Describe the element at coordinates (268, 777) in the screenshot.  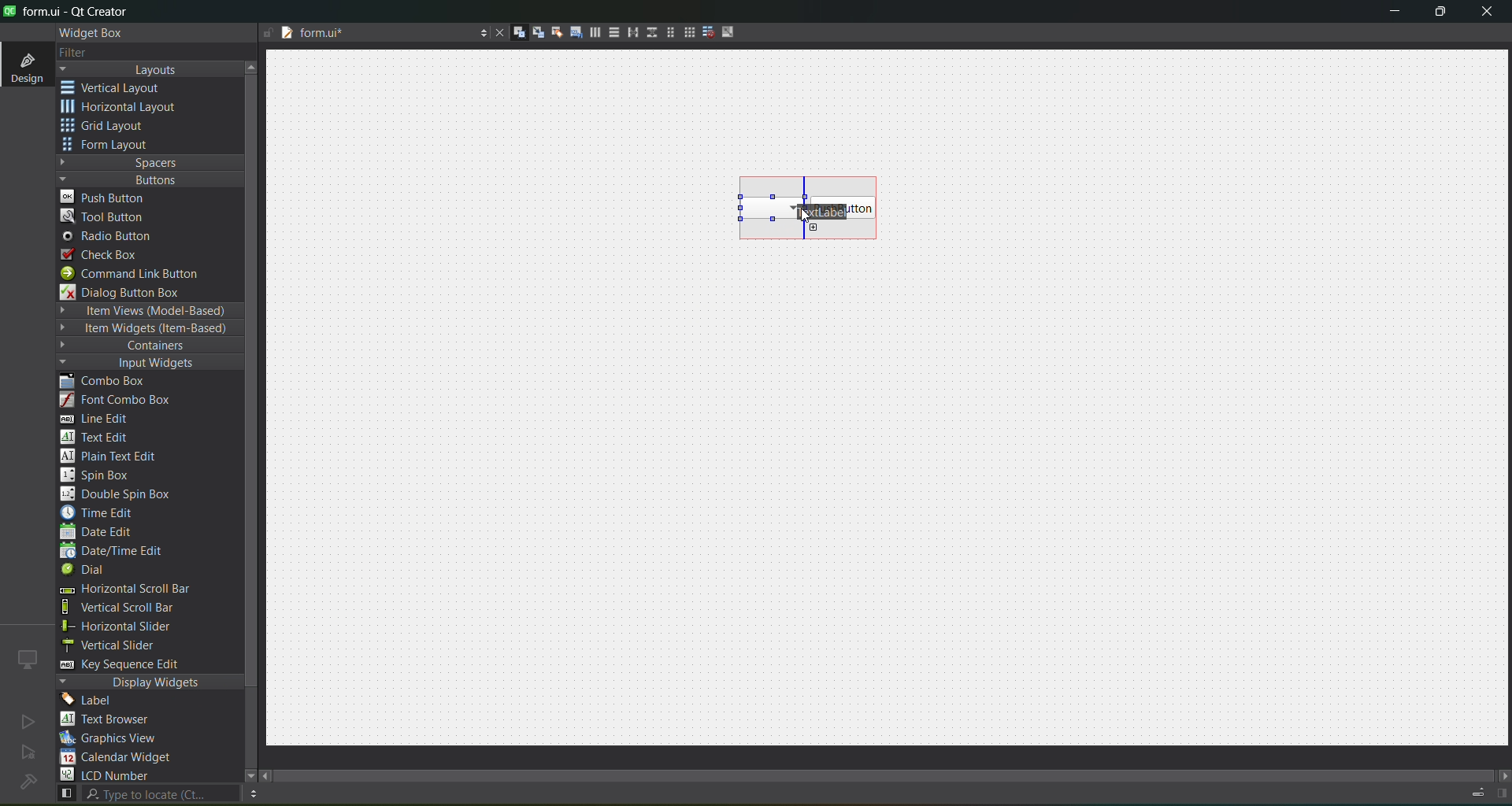
I see `move left` at that location.